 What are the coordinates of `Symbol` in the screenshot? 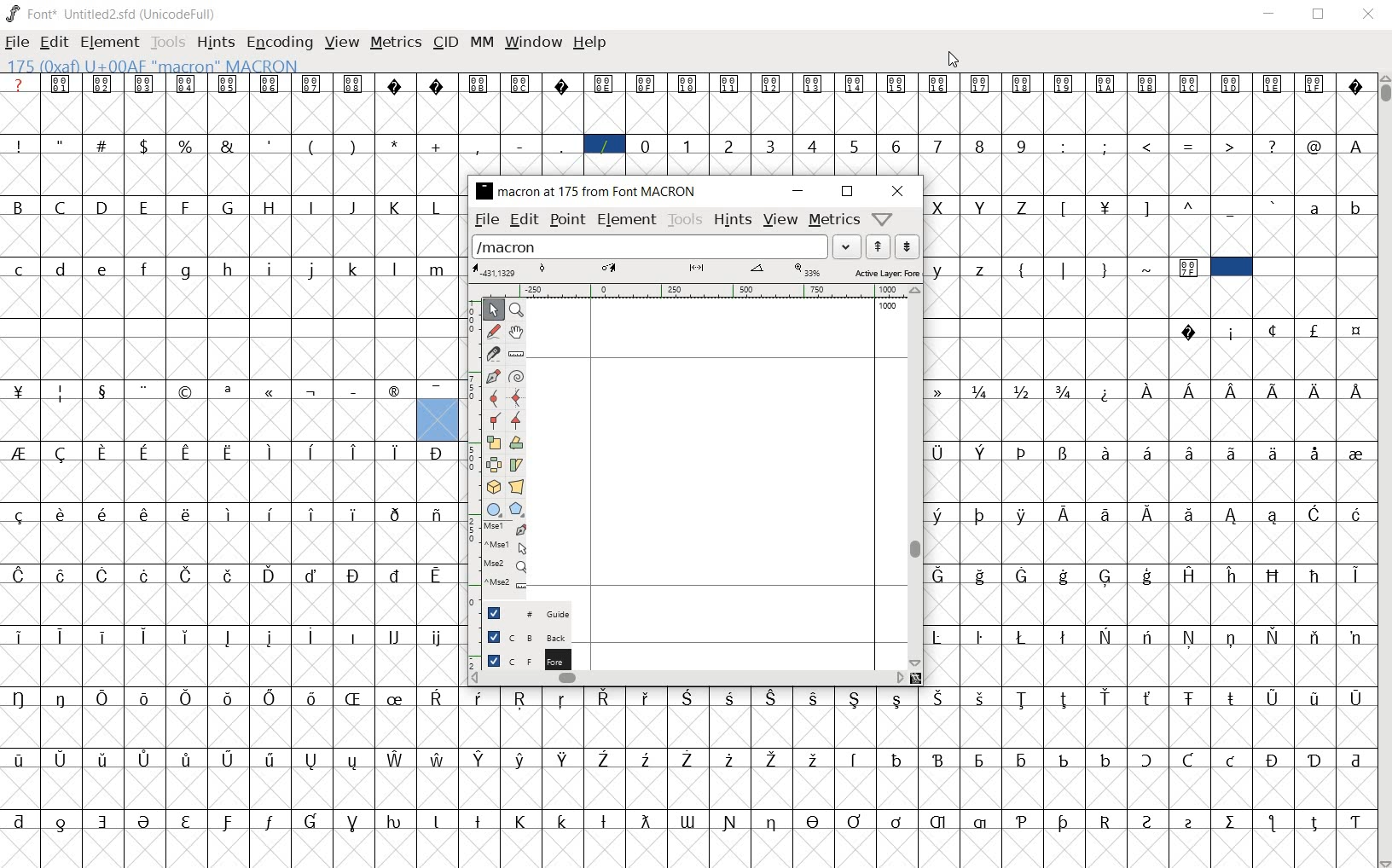 It's located at (354, 575).